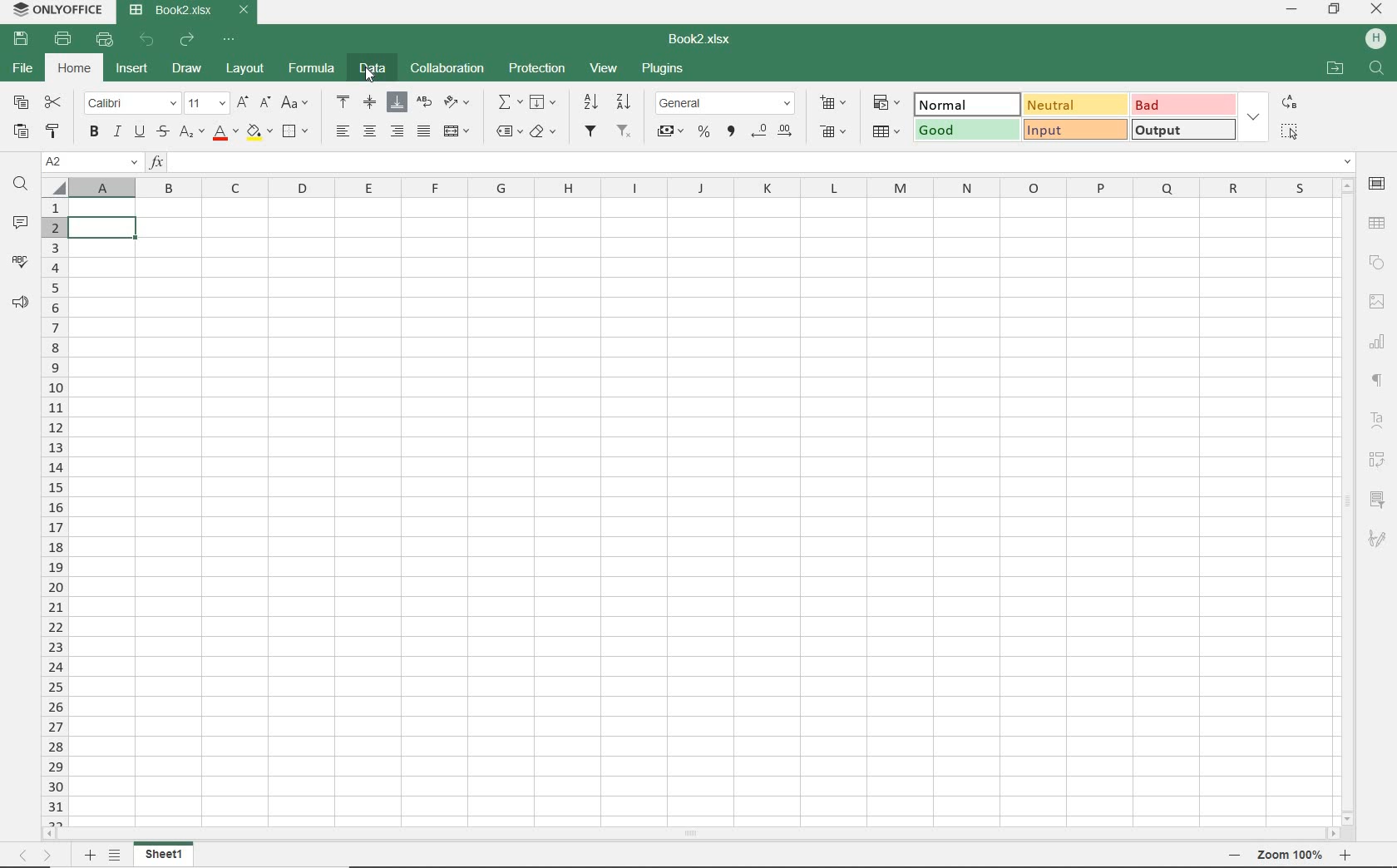 The height and width of the screenshot is (868, 1397). I want to click on PIVOT TABLE, so click(1375, 460).